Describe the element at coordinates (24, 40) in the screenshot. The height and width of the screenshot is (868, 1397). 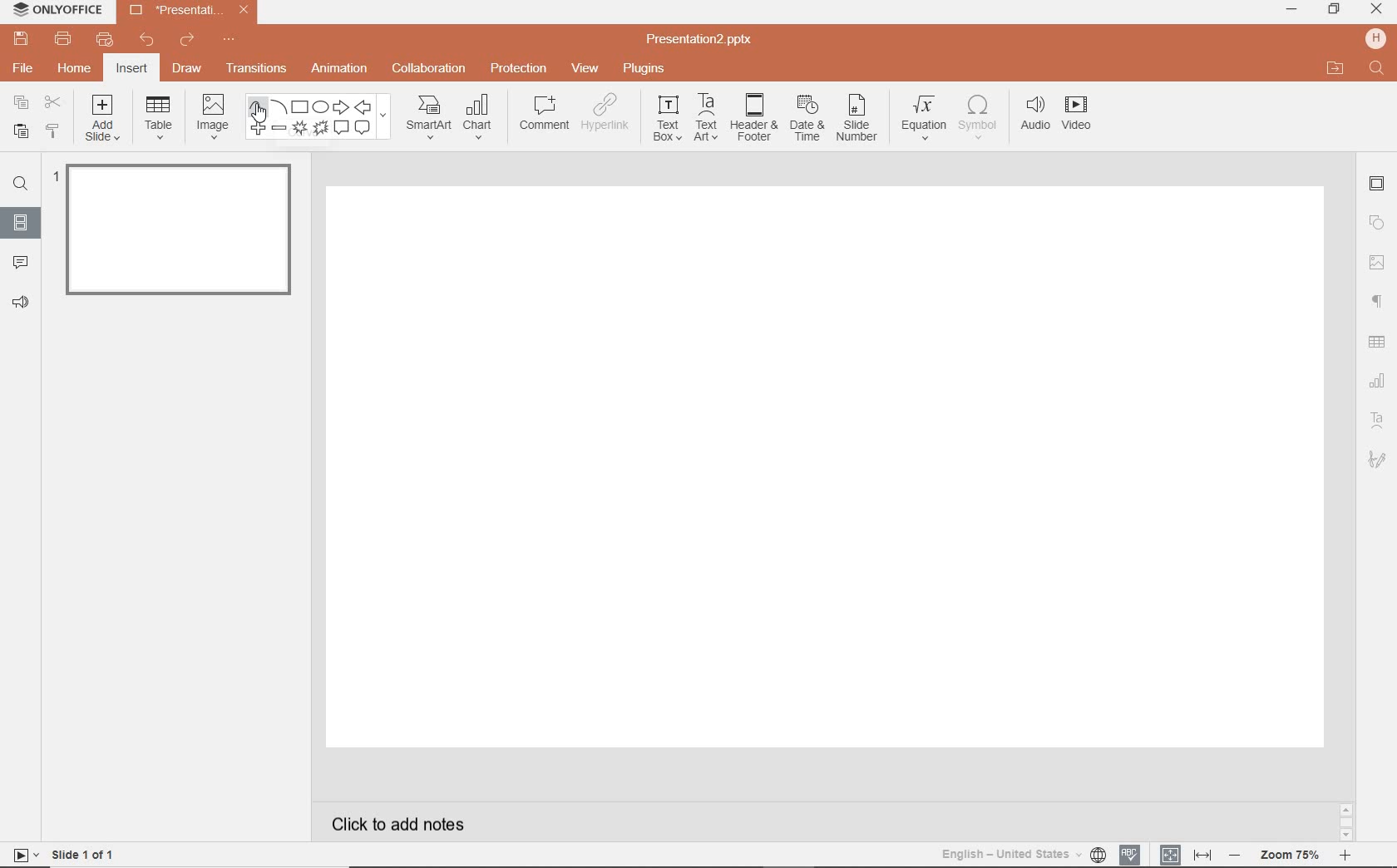
I see `SAVE` at that location.